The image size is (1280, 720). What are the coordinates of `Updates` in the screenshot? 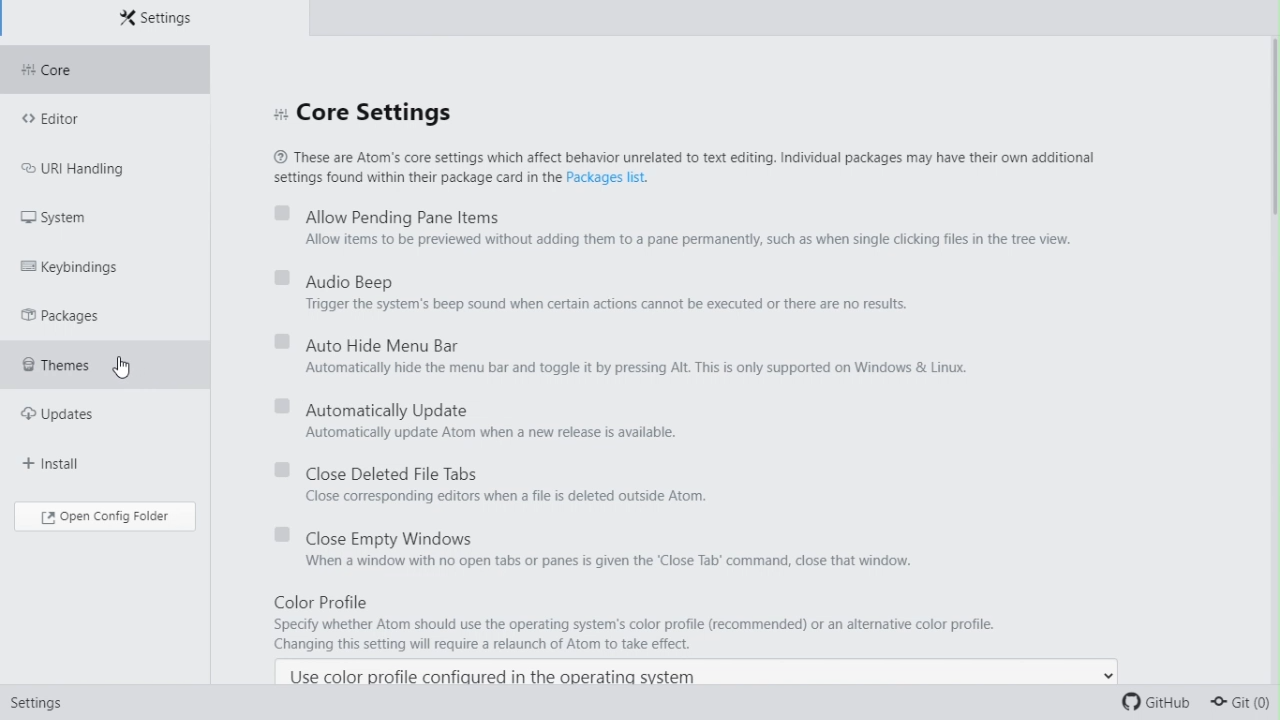 It's located at (78, 419).